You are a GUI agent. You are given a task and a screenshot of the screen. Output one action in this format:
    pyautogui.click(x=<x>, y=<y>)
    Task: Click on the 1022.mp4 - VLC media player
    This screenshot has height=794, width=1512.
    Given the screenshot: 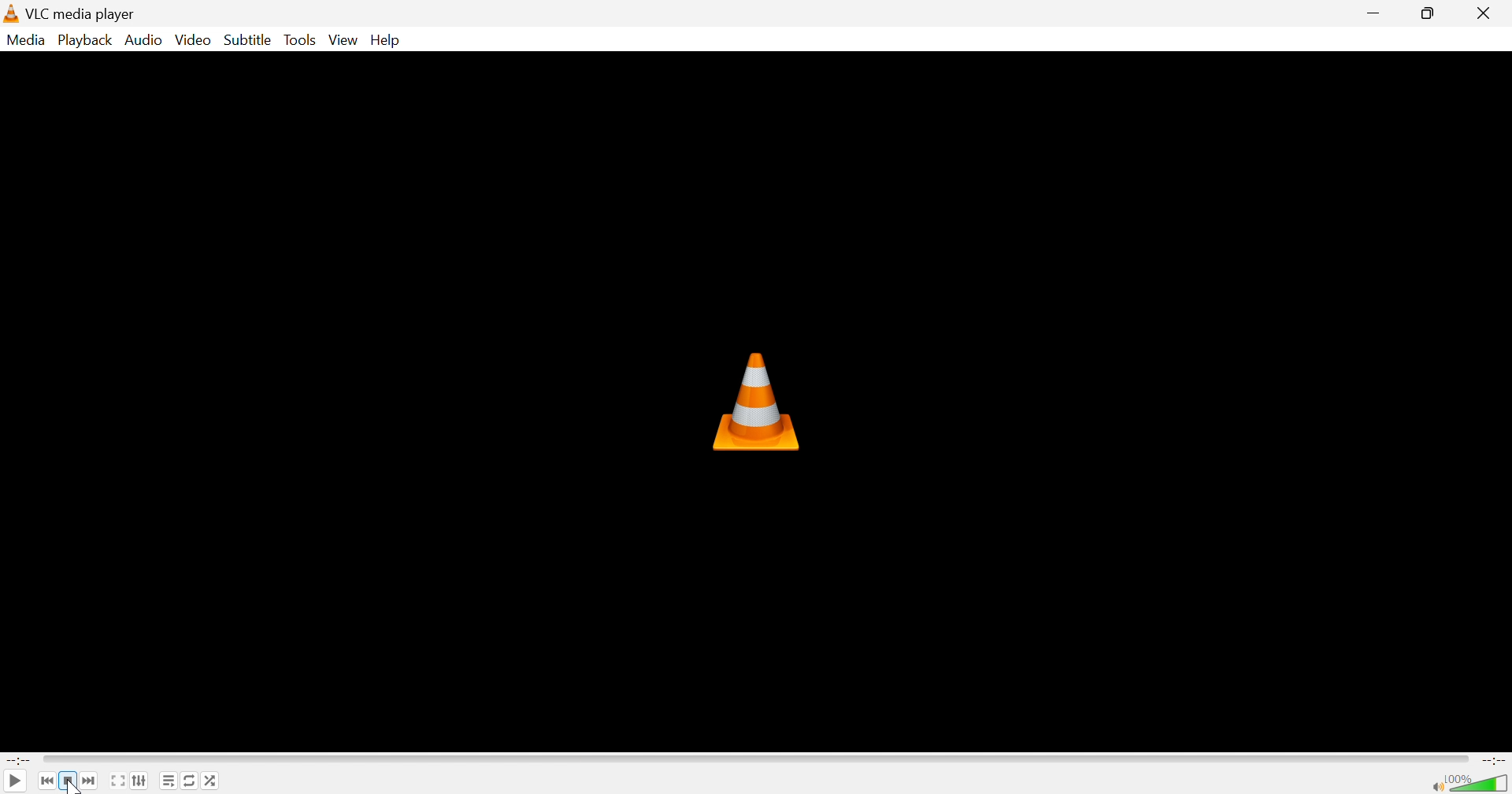 What is the action you would take?
    pyautogui.click(x=106, y=13)
    